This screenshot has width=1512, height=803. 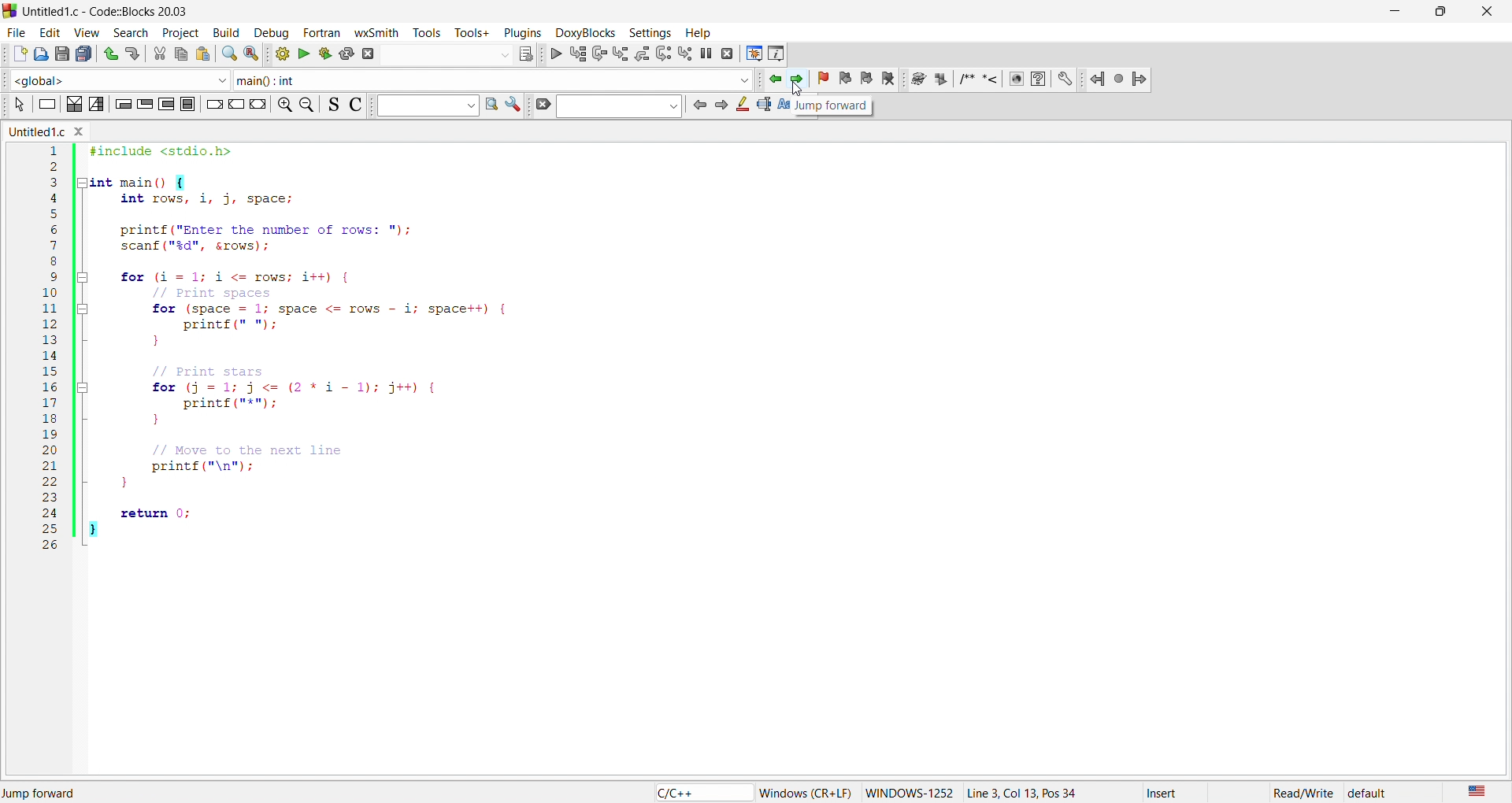 What do you see at coordinates (491, 106) in the screenshot?
I see `find` at bounding box center [491, 106].